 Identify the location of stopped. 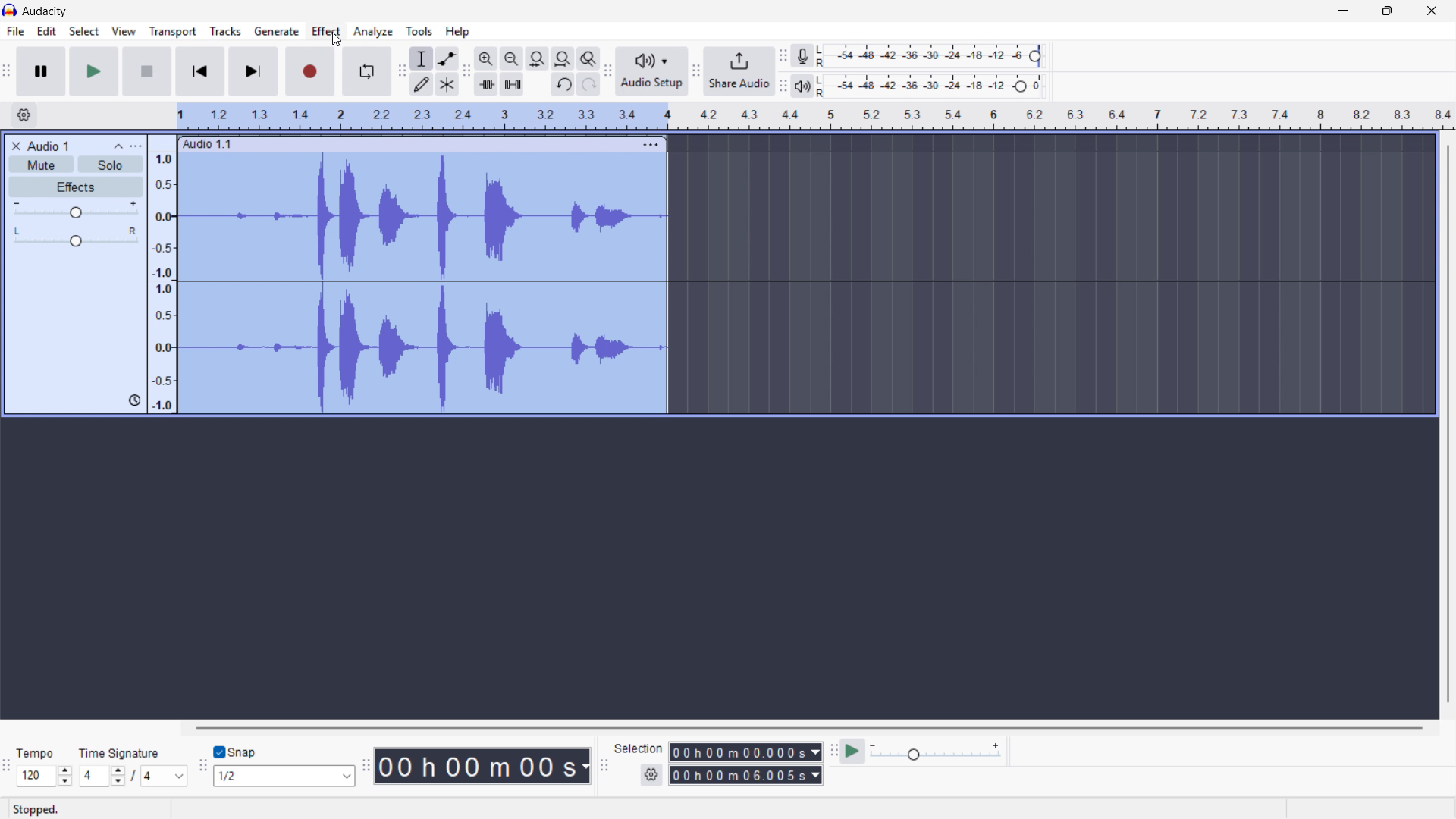
(39, 808).